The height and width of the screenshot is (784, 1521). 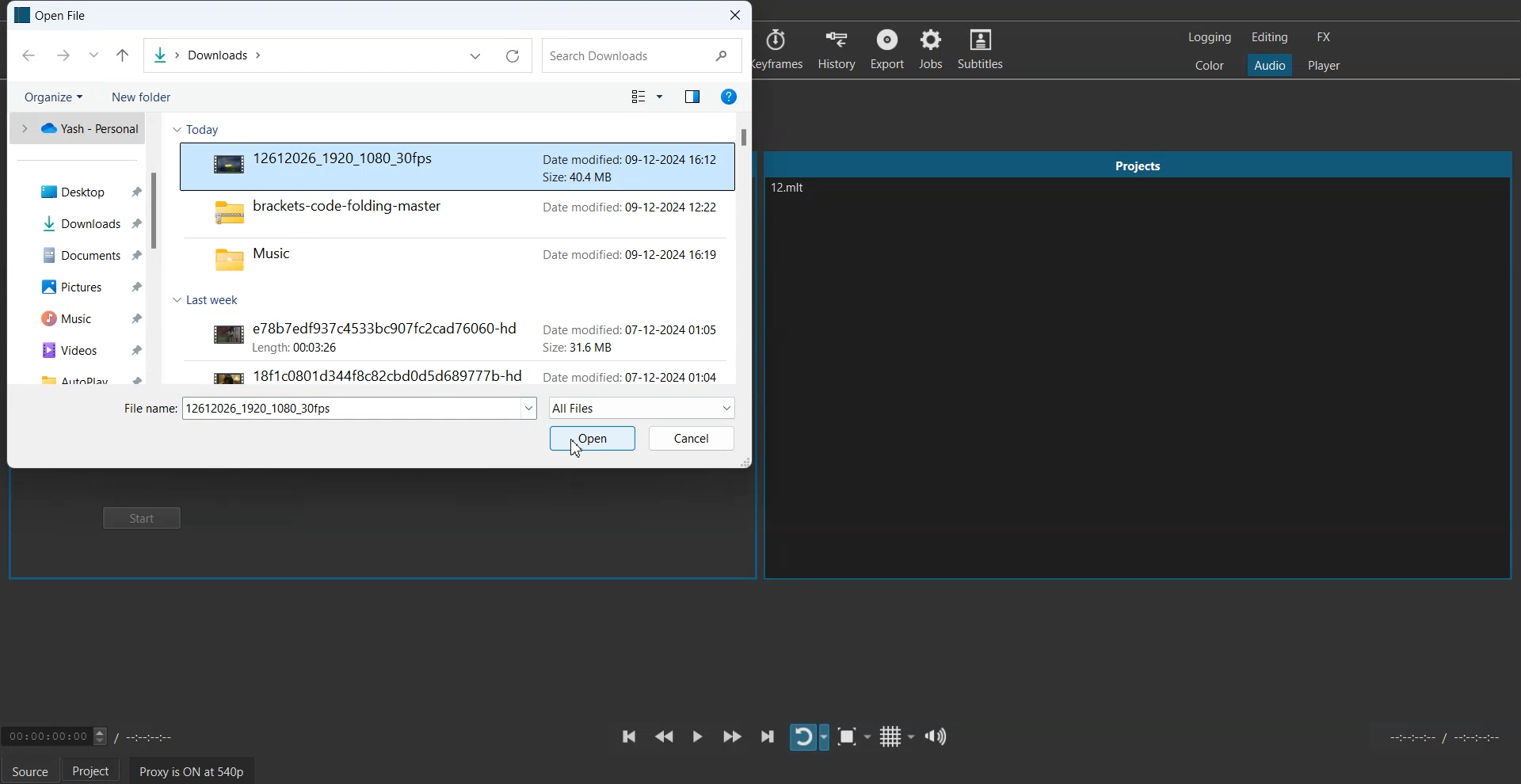 What do you see at coordinates (811, 204) in the screenshot?
I see `Text 1` at bounding box center [811, 204].